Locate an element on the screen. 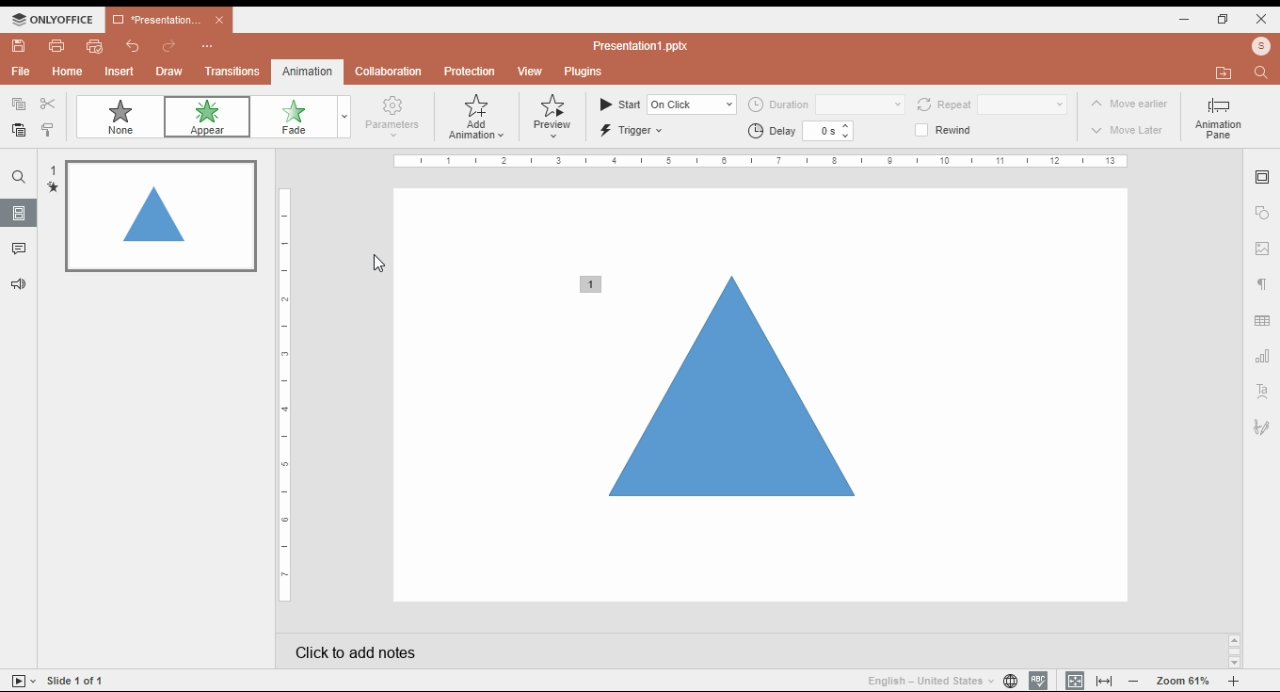  slide is located at coordinates (80, 680).